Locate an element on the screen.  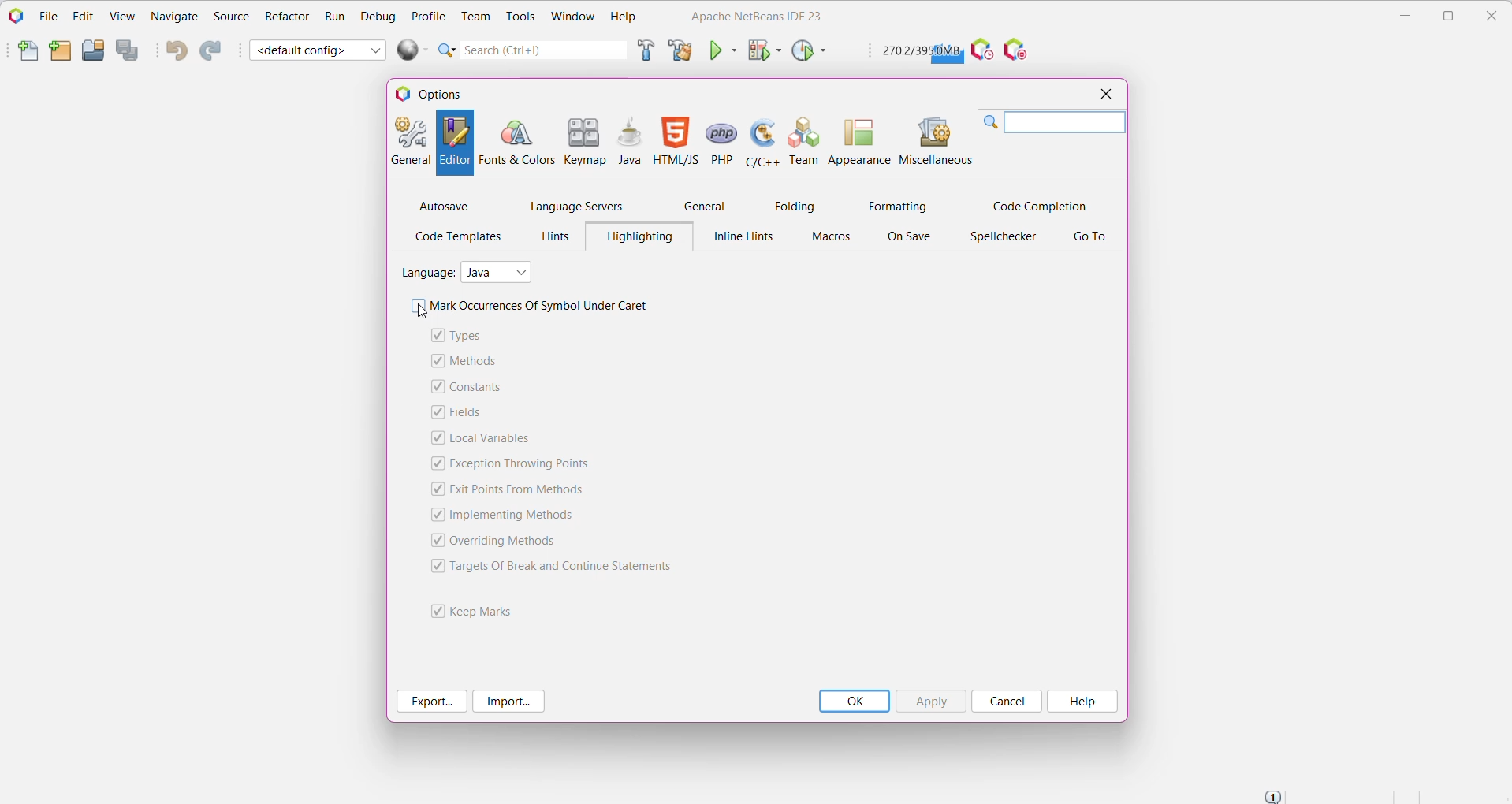
Debug is located at coordinates (377, 17).